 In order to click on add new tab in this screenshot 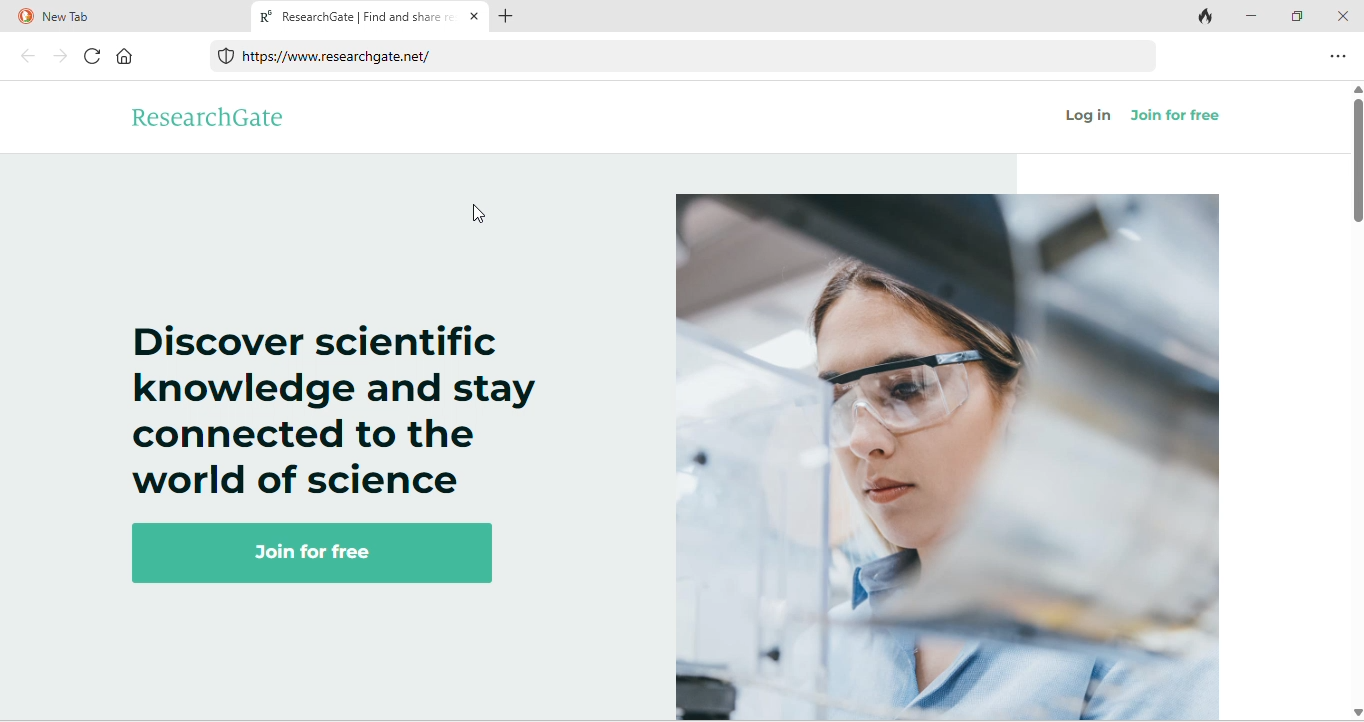, I will do `click(516, 18)`.